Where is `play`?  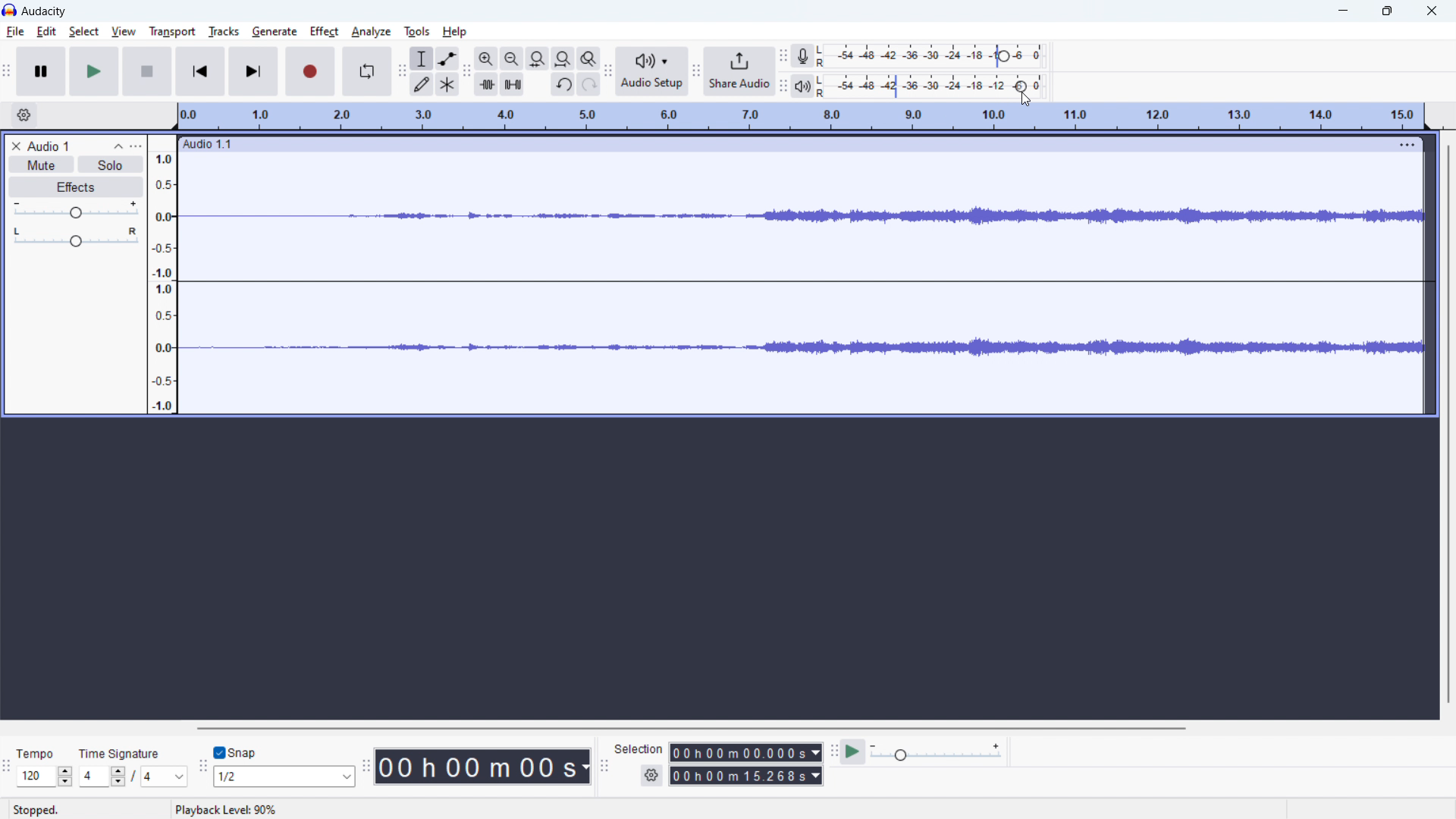
play is located at coordinates (93, 71).